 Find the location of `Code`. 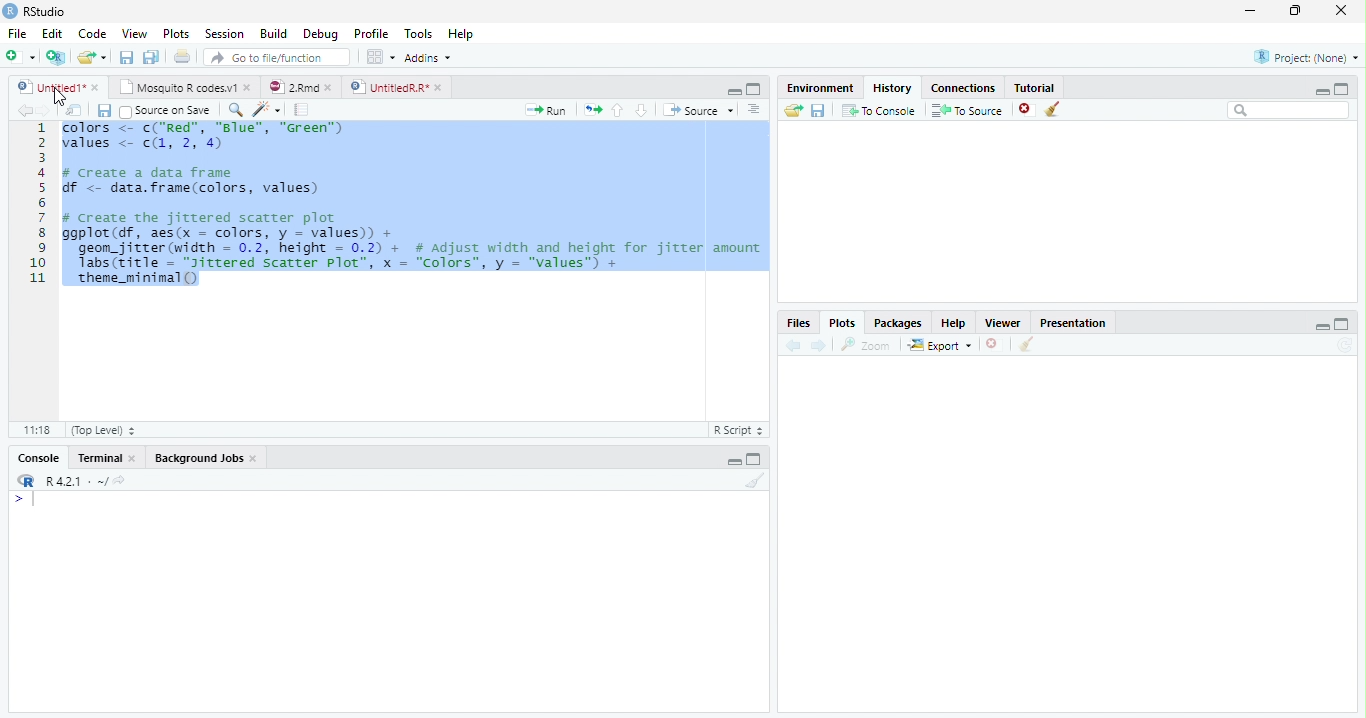

Code is located at coordinates (92, 33).